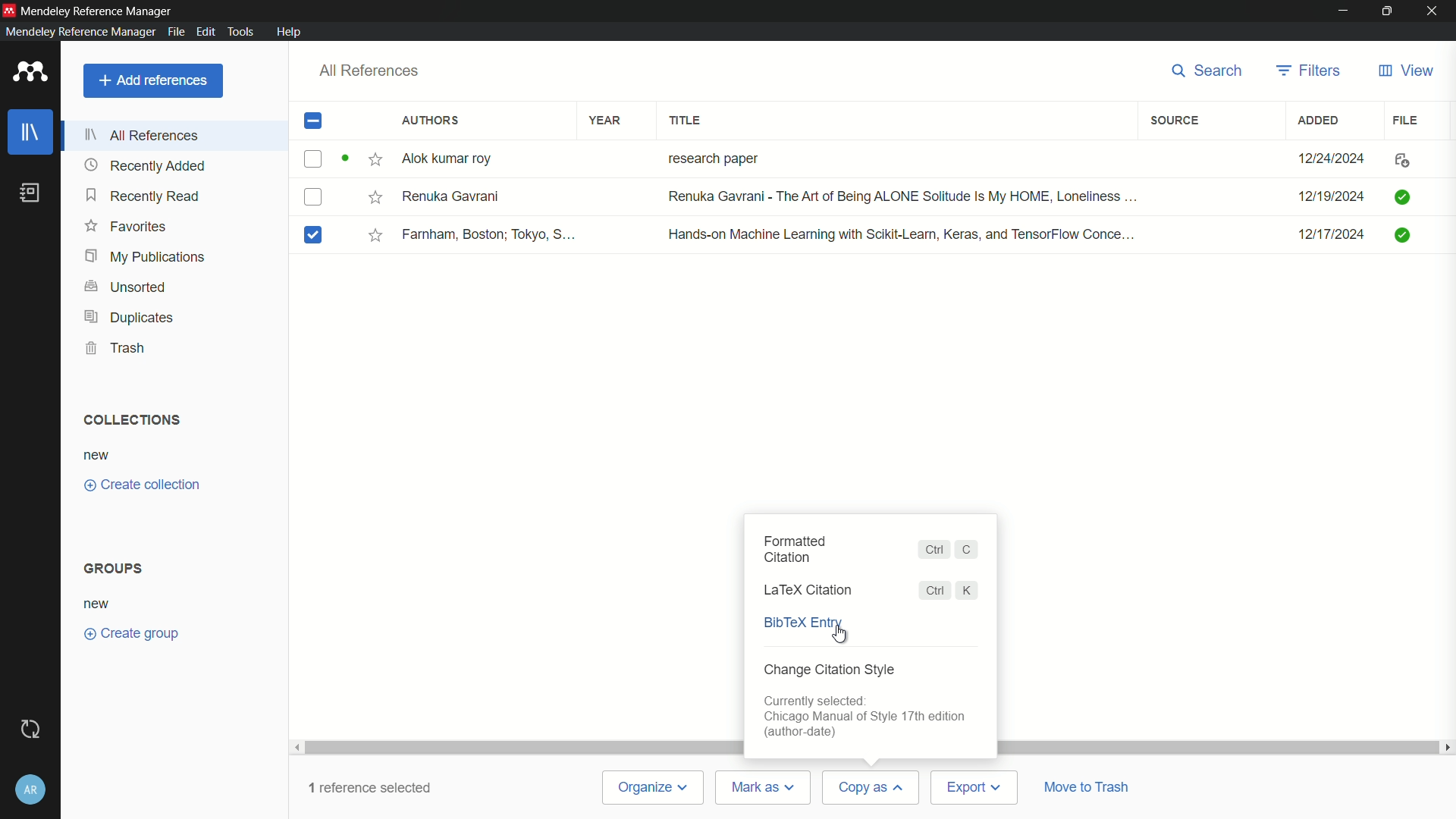 The image size is (1456, 819). Describe the element at coordinates (372, 198) in the screenshot. I see `Mark it star` at that location.